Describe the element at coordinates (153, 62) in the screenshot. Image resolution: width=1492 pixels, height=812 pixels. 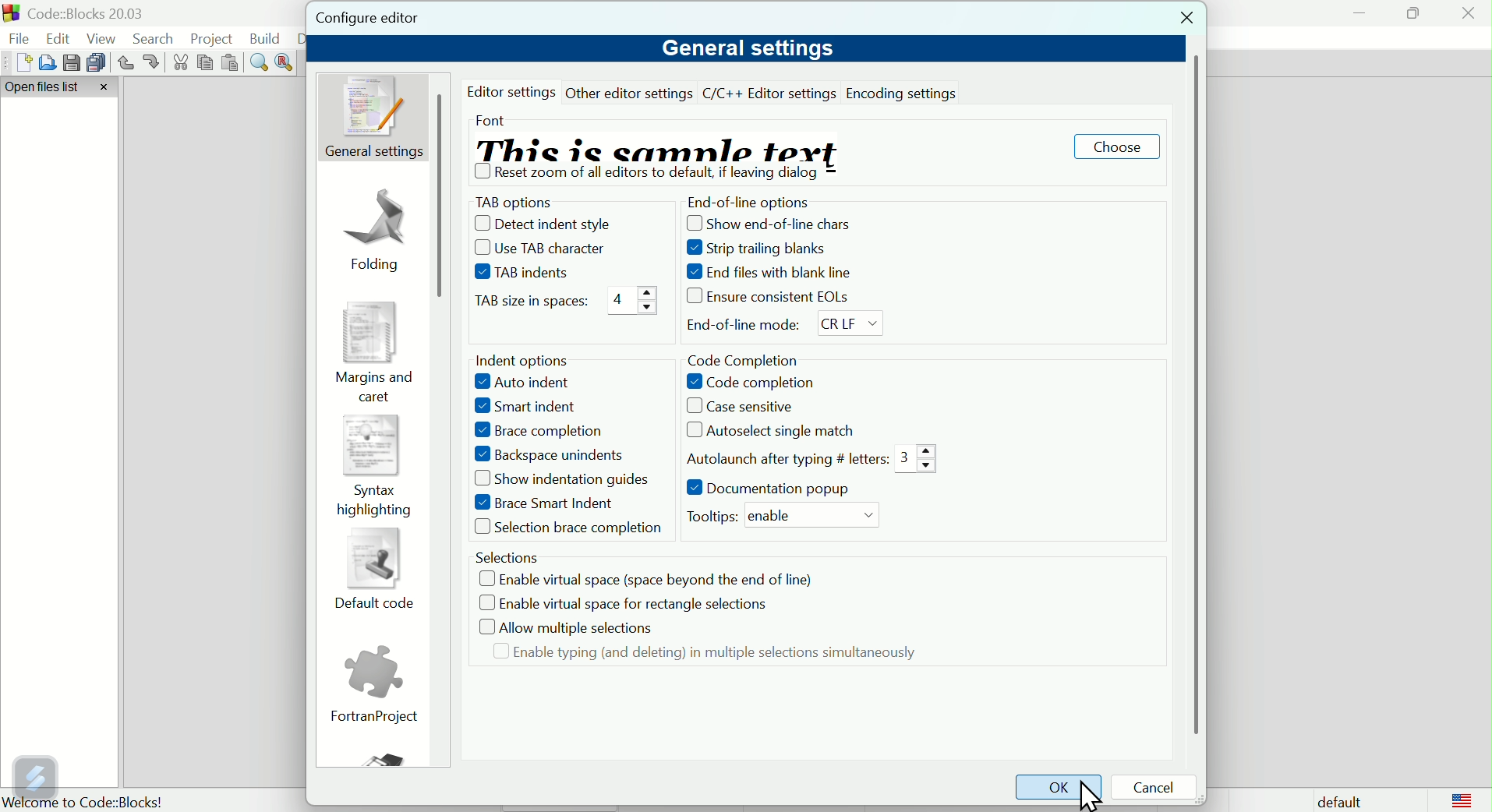
I see `redo` at that location.